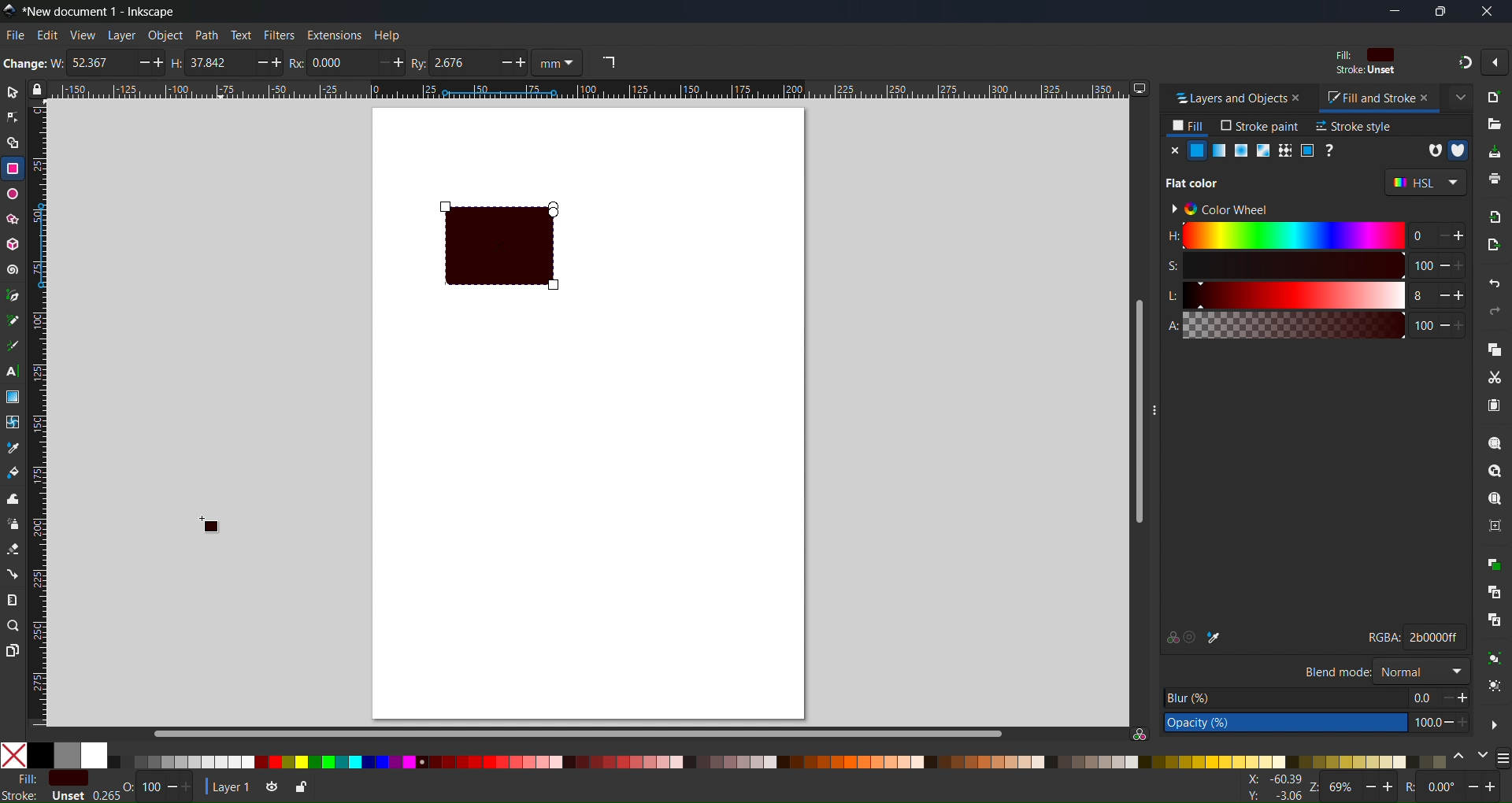 Image resolution: width=1512 pixels, height=803 pixels. I want to click on Make sharp corner, so click(608, 63).